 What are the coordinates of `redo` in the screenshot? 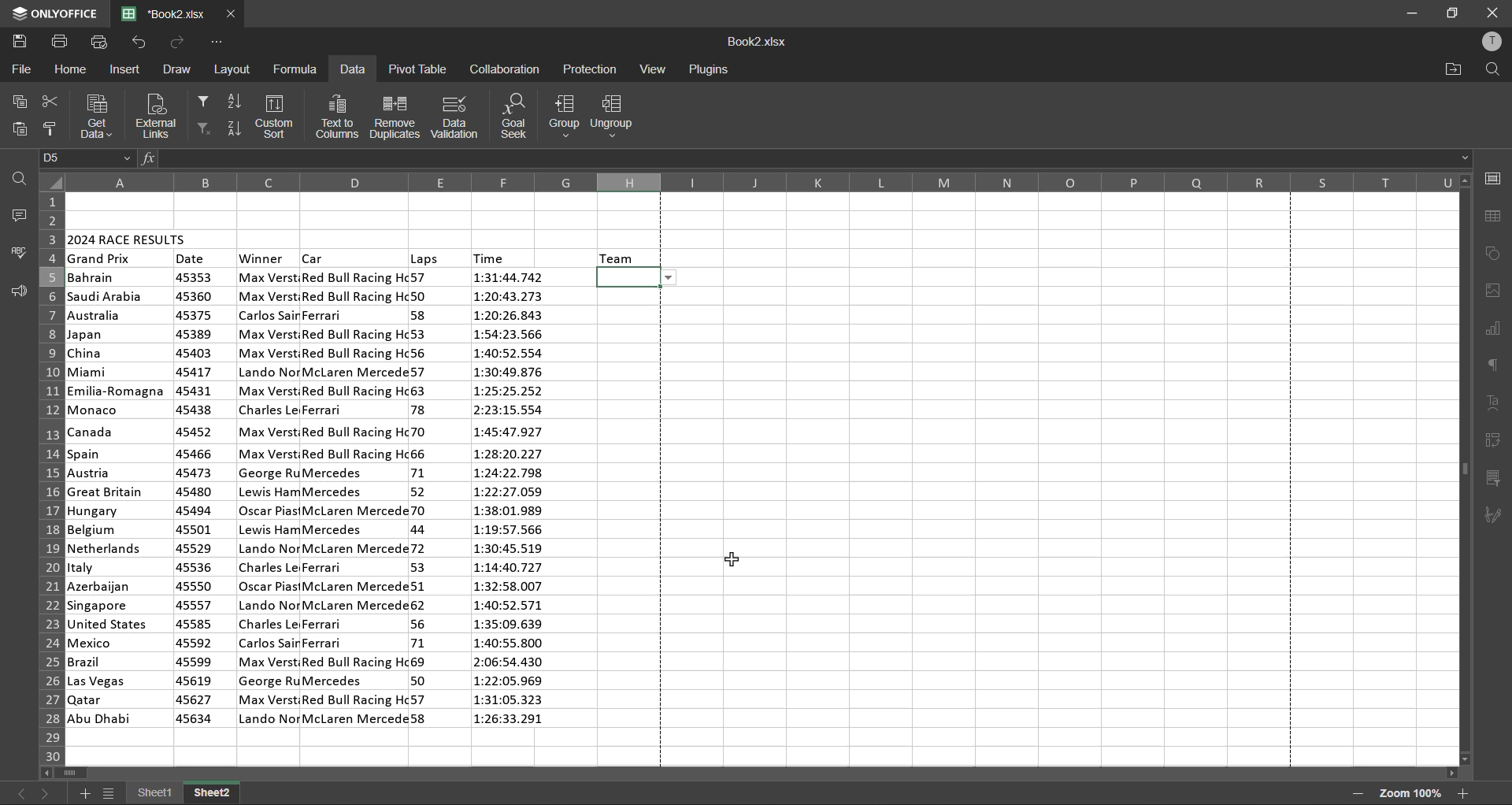 It's located at (179, 42).